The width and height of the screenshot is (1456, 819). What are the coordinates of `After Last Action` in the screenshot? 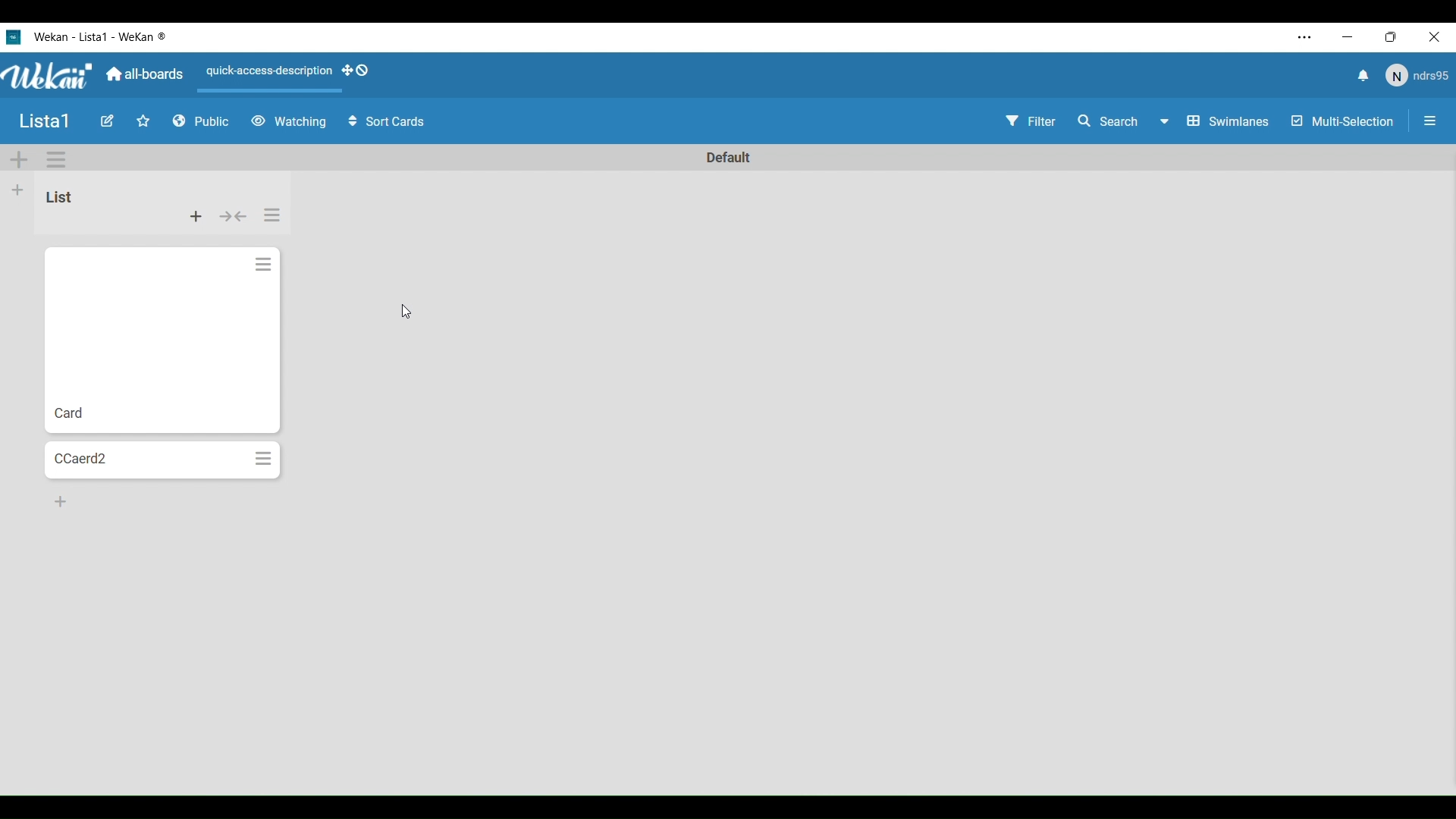 It's located at (146, 340).